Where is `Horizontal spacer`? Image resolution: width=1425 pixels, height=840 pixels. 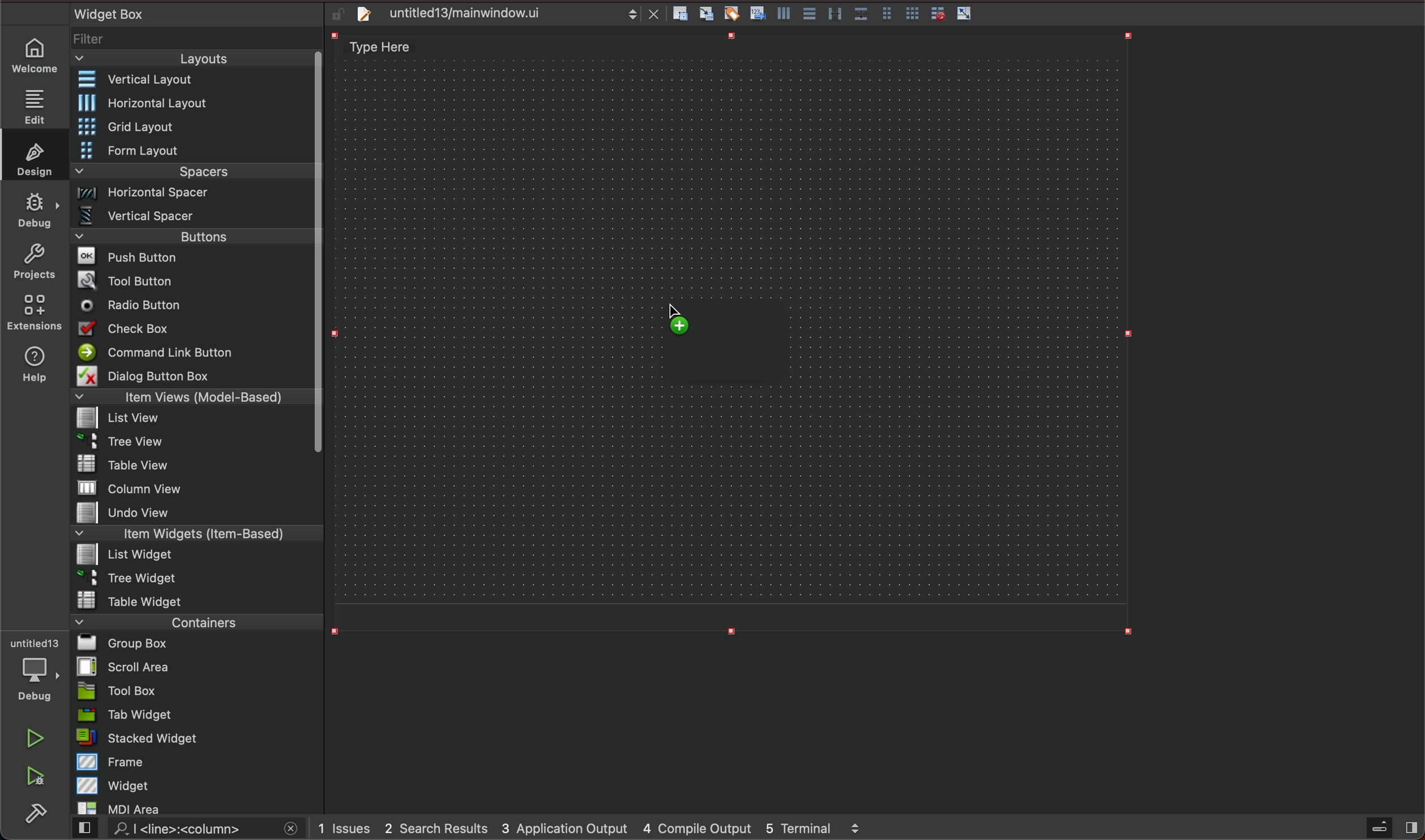
Horizontal spacer is located at coordinates (192, 194).